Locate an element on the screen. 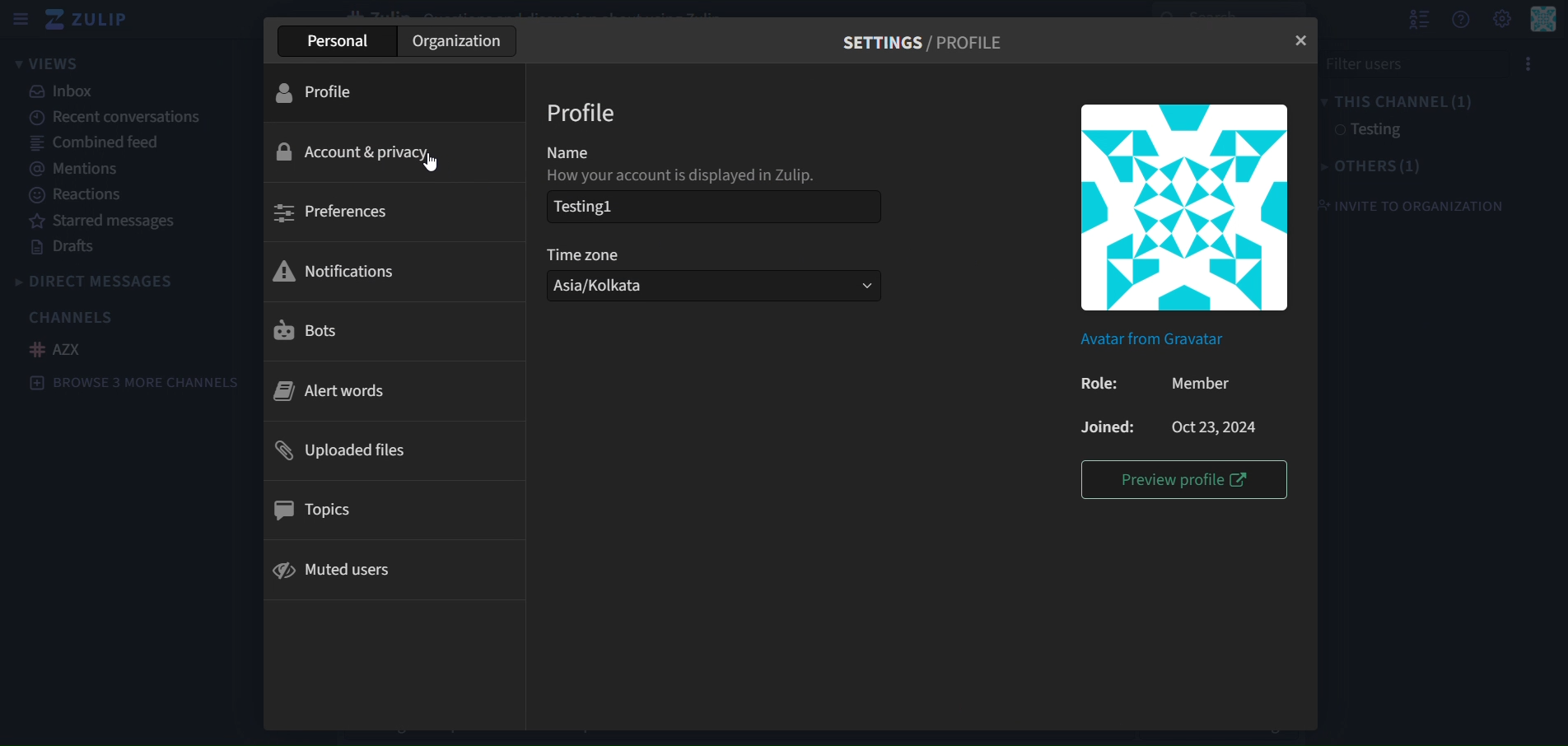 This screenshot has width=1568, height=746. profile is located at coordinates (327, 91).